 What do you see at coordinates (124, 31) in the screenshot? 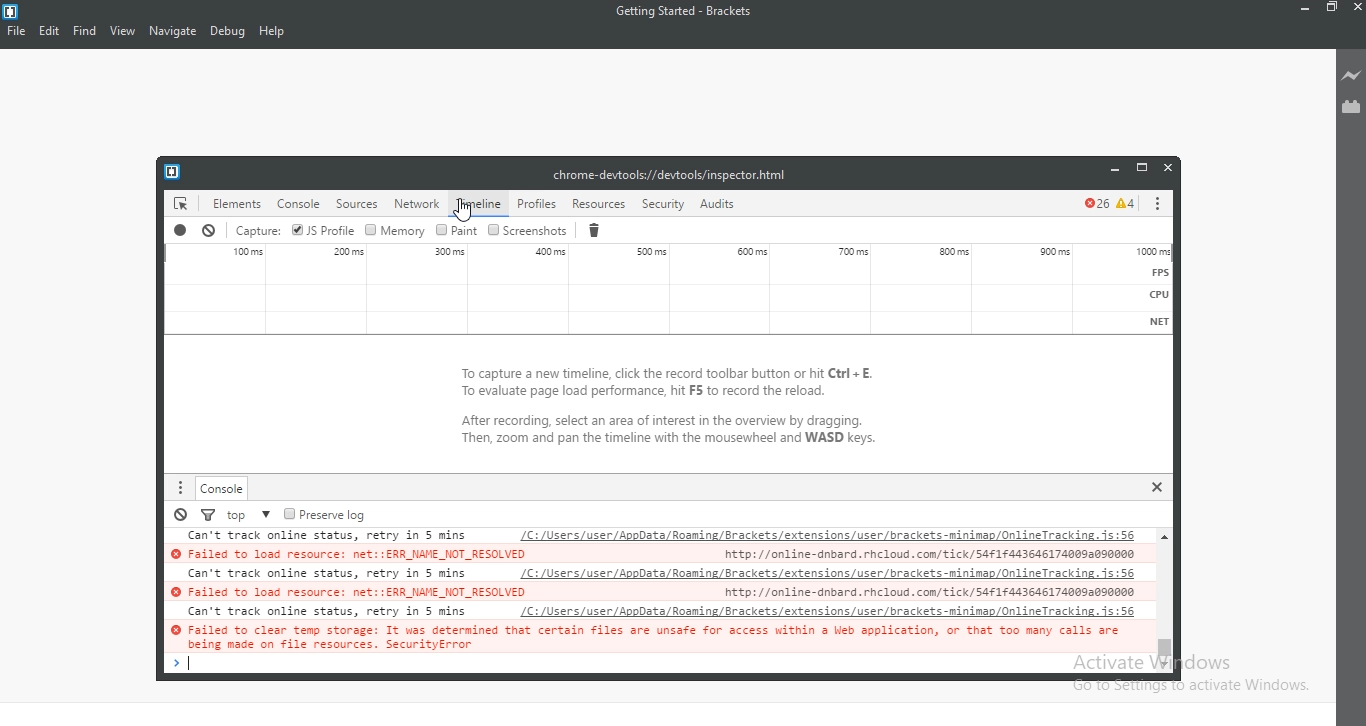
I see `View` at bounding box center [124, 31].